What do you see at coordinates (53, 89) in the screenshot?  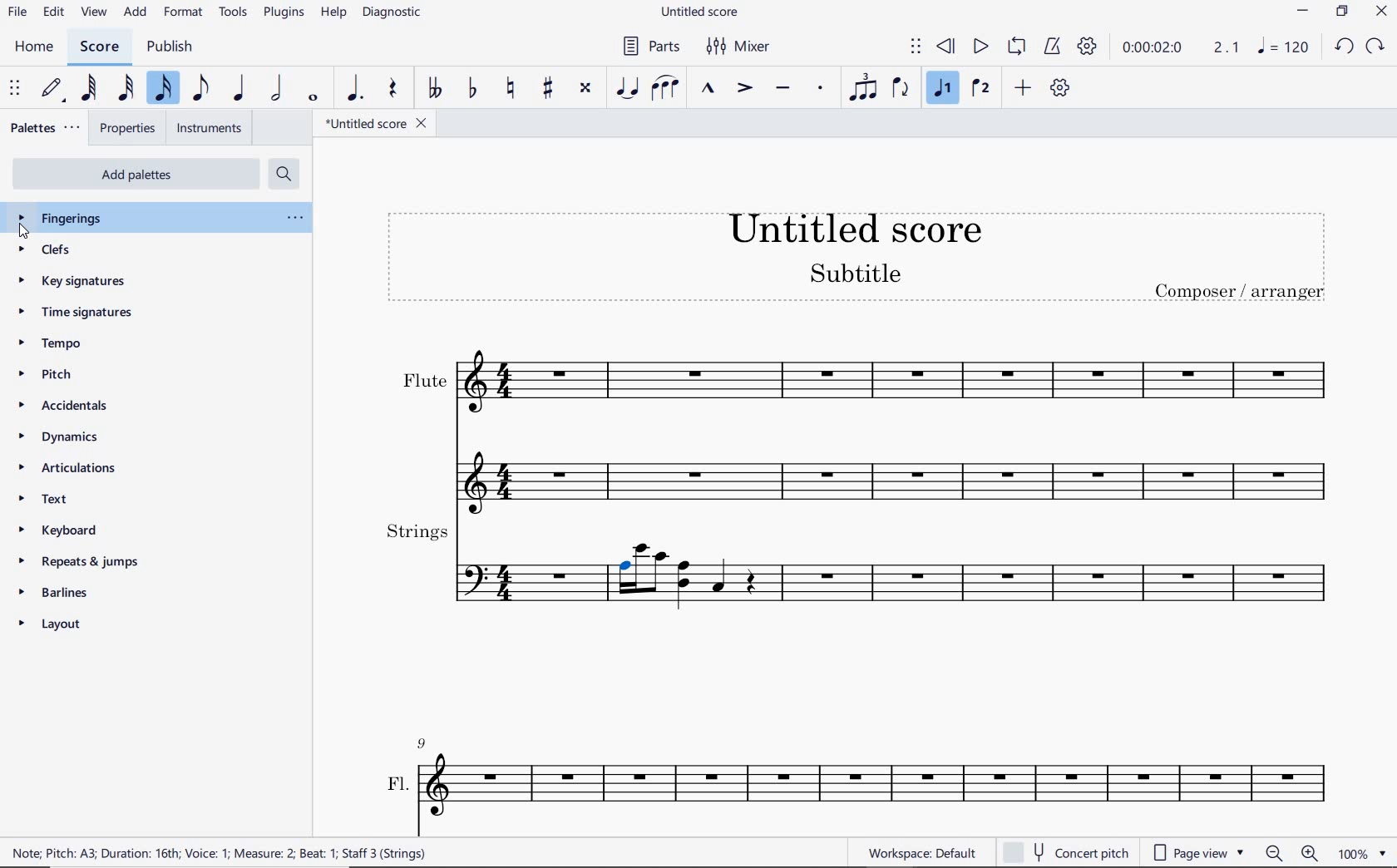 I see `default (step time)` at bounding box center [53, 89].